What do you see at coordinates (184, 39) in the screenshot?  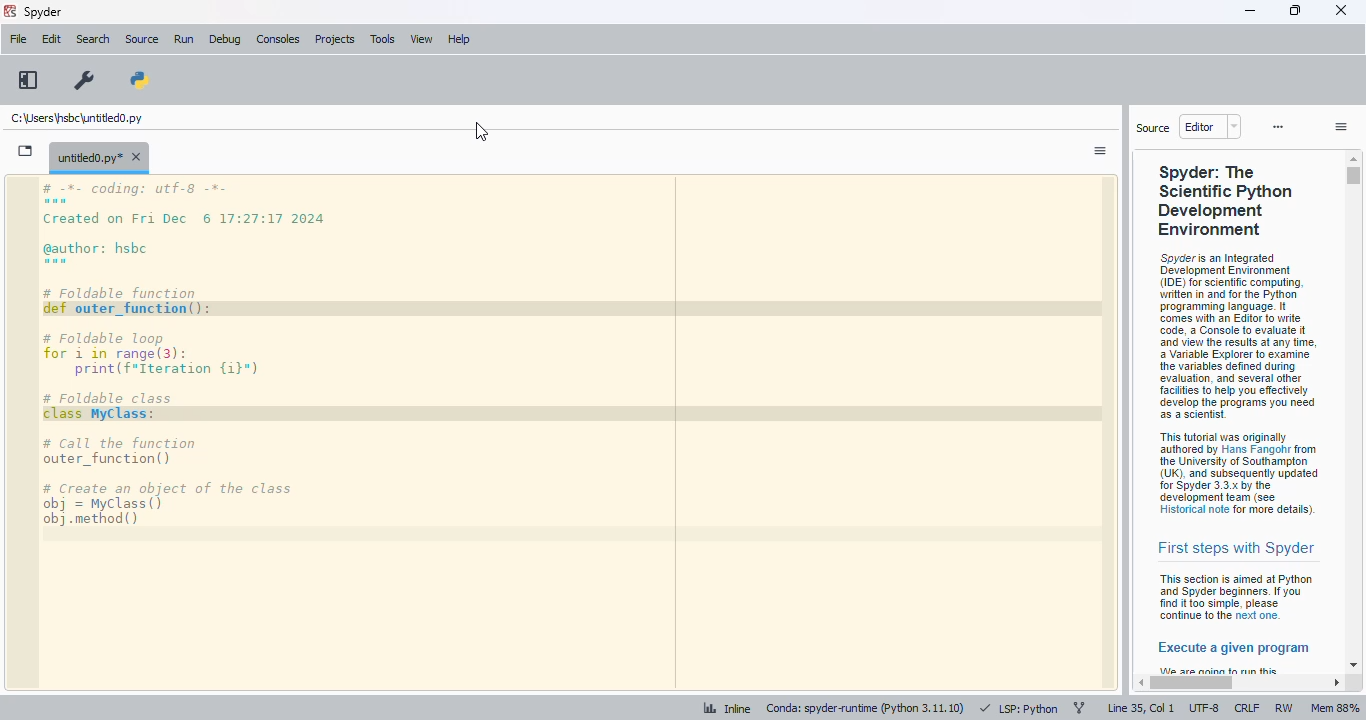 I see `run` at bounding box center [184, 39].